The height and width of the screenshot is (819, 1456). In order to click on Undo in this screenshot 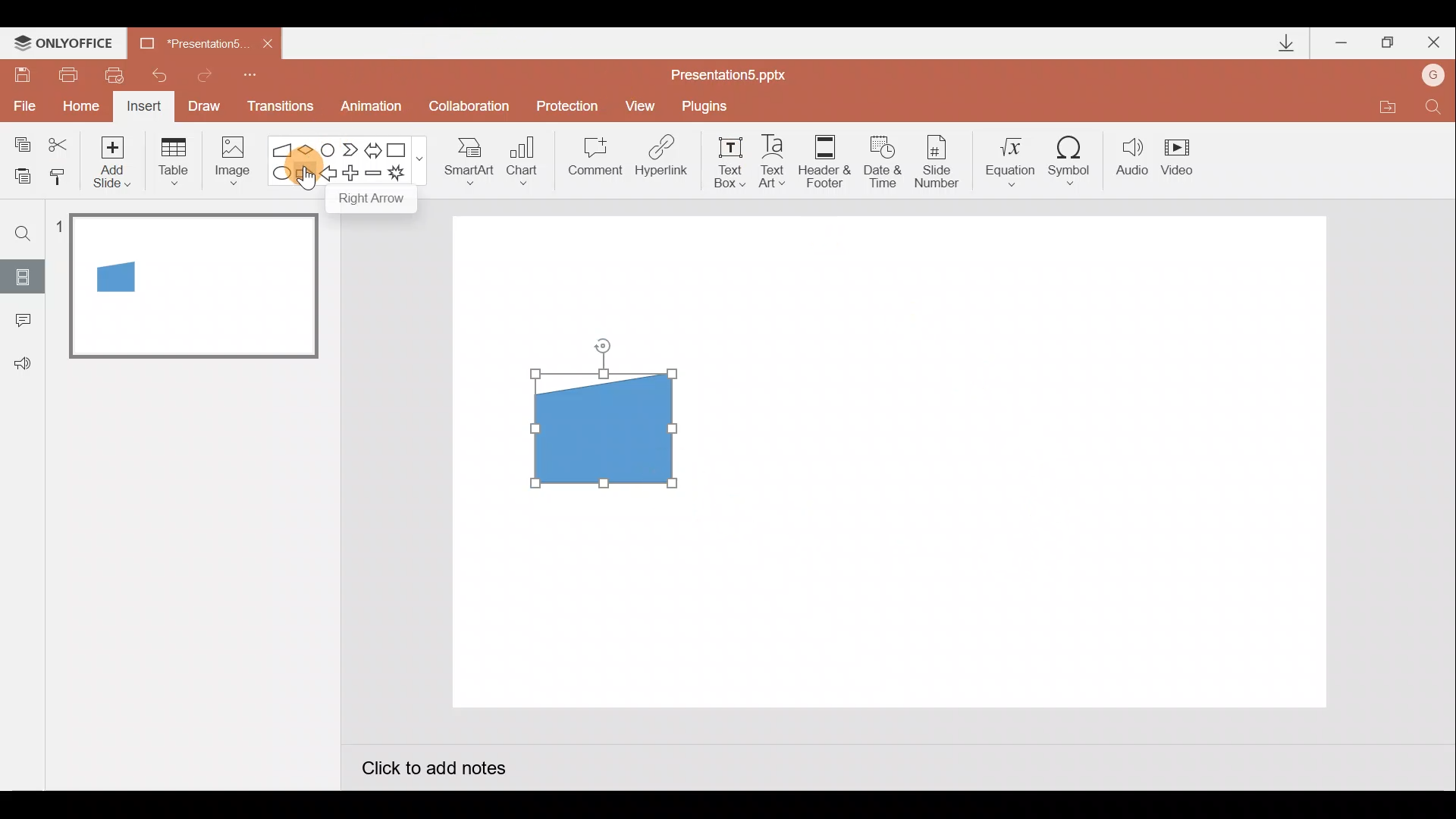, I will do `click(162, 75)`.